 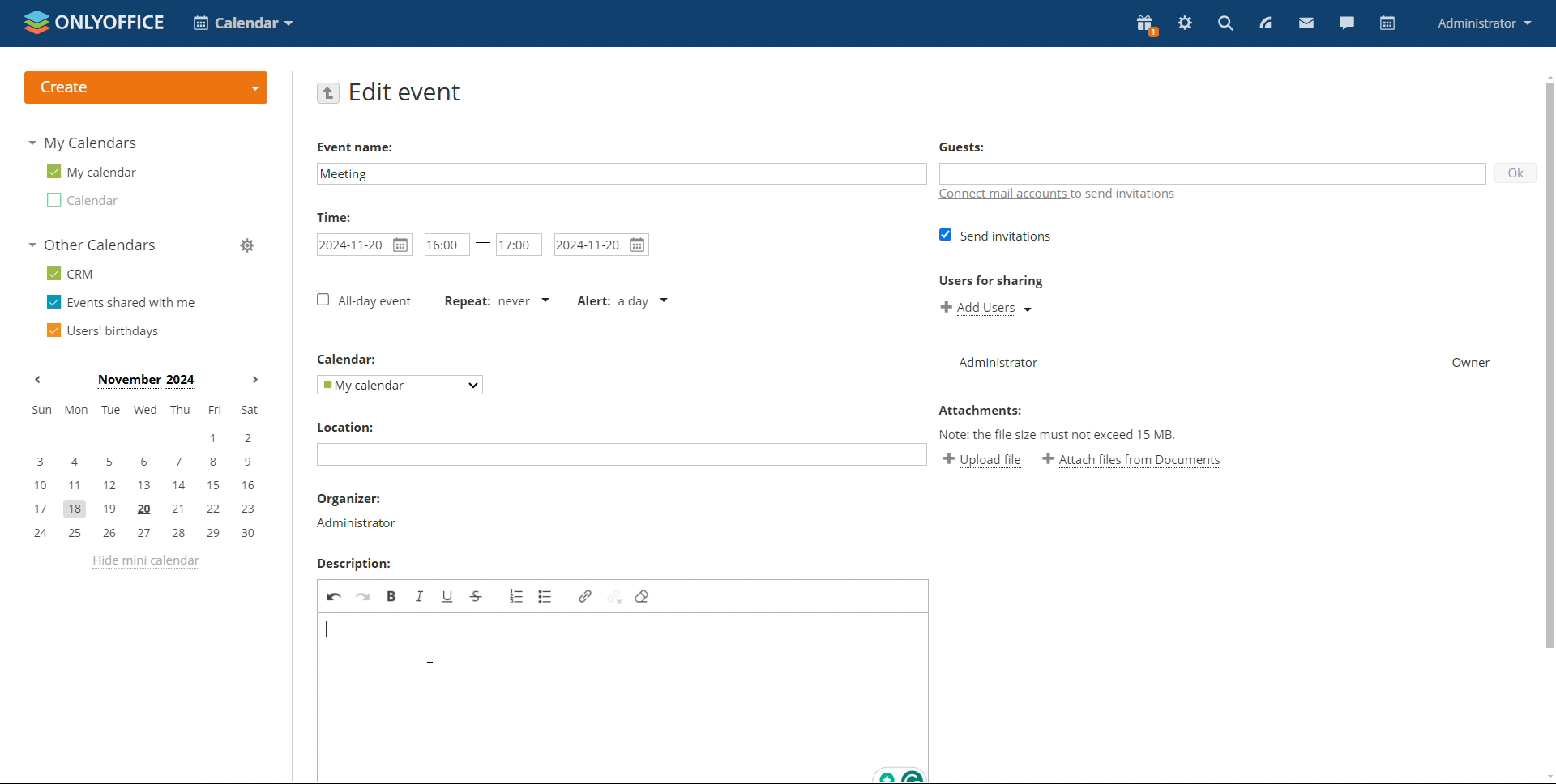 What do you see at coordinates (622, 173) in the screenshot?
I see `add event name` at bounding box center [622, 173].